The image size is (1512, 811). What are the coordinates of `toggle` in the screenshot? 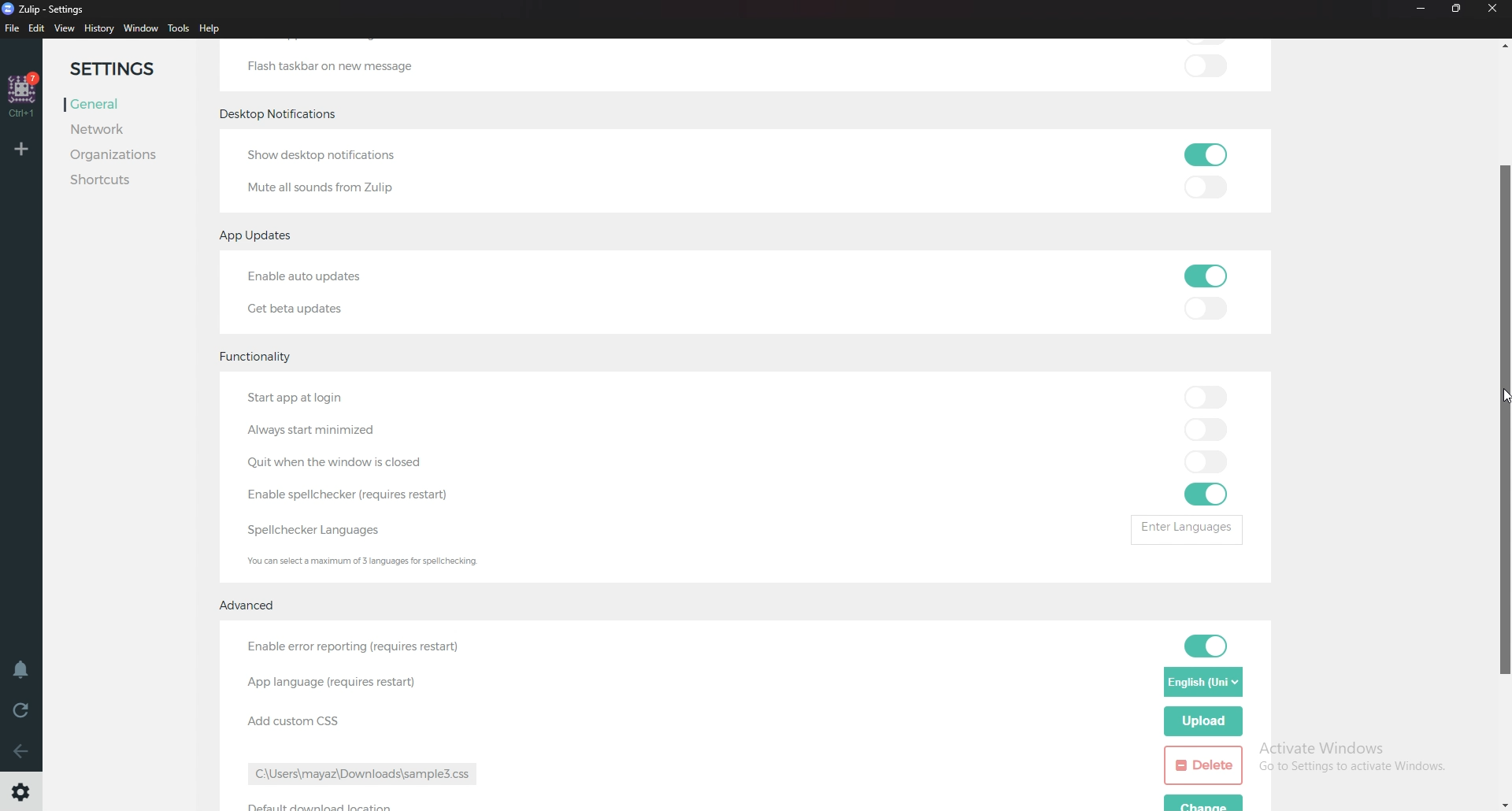 It's located at (1203, 398).